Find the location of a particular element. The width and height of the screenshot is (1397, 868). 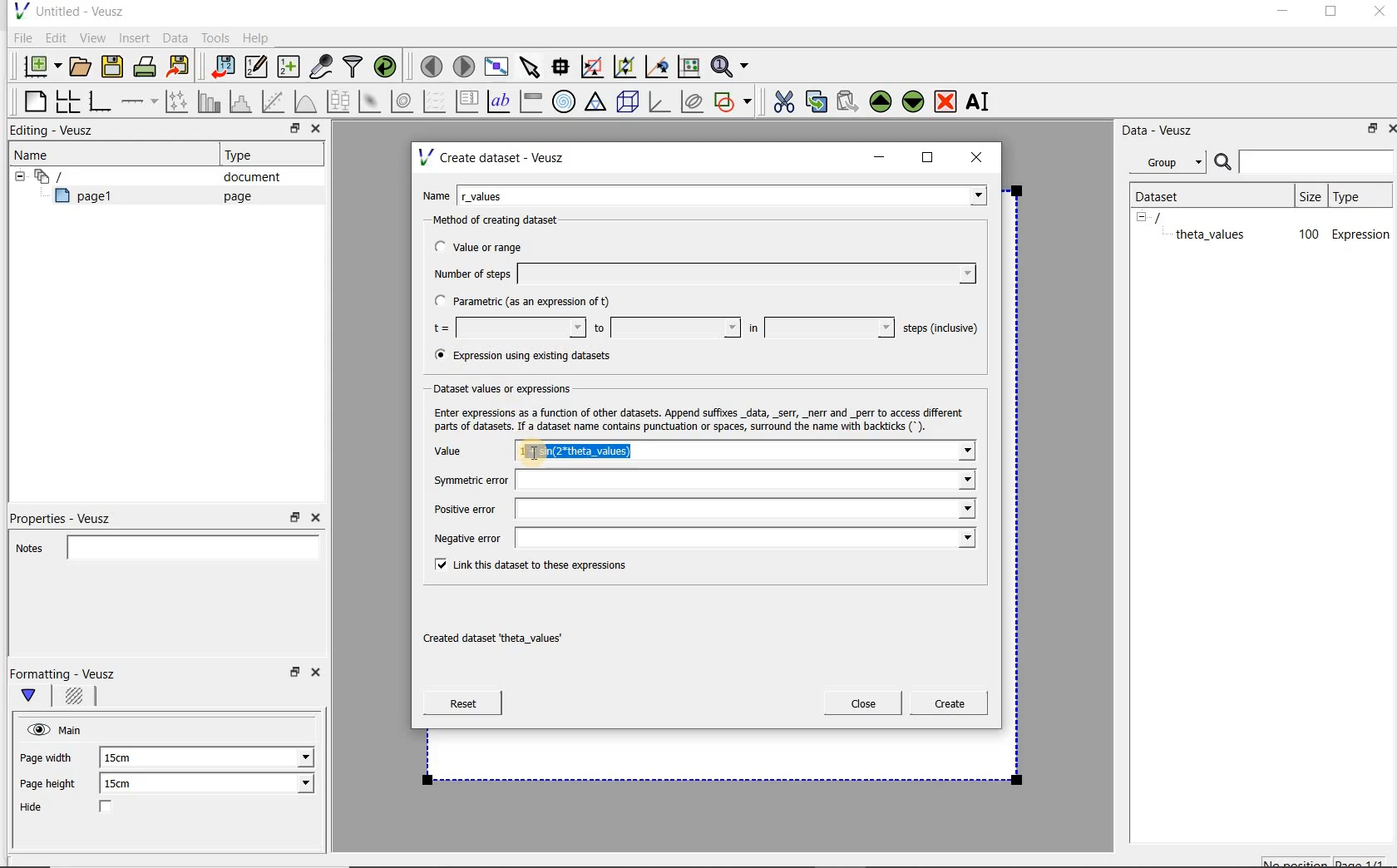

Close is located at coordinates (863, 703).